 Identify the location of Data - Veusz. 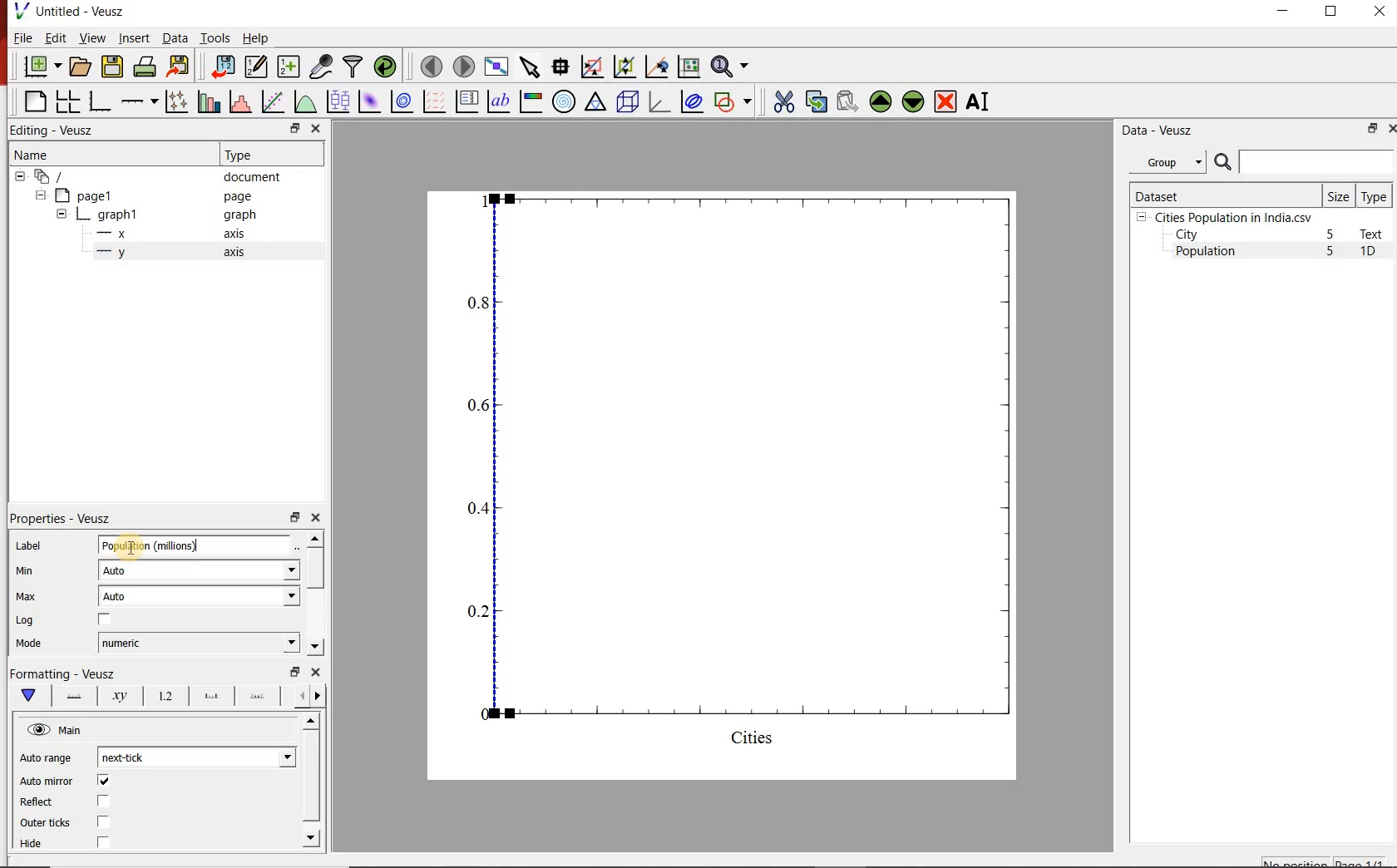
(1154, 130).